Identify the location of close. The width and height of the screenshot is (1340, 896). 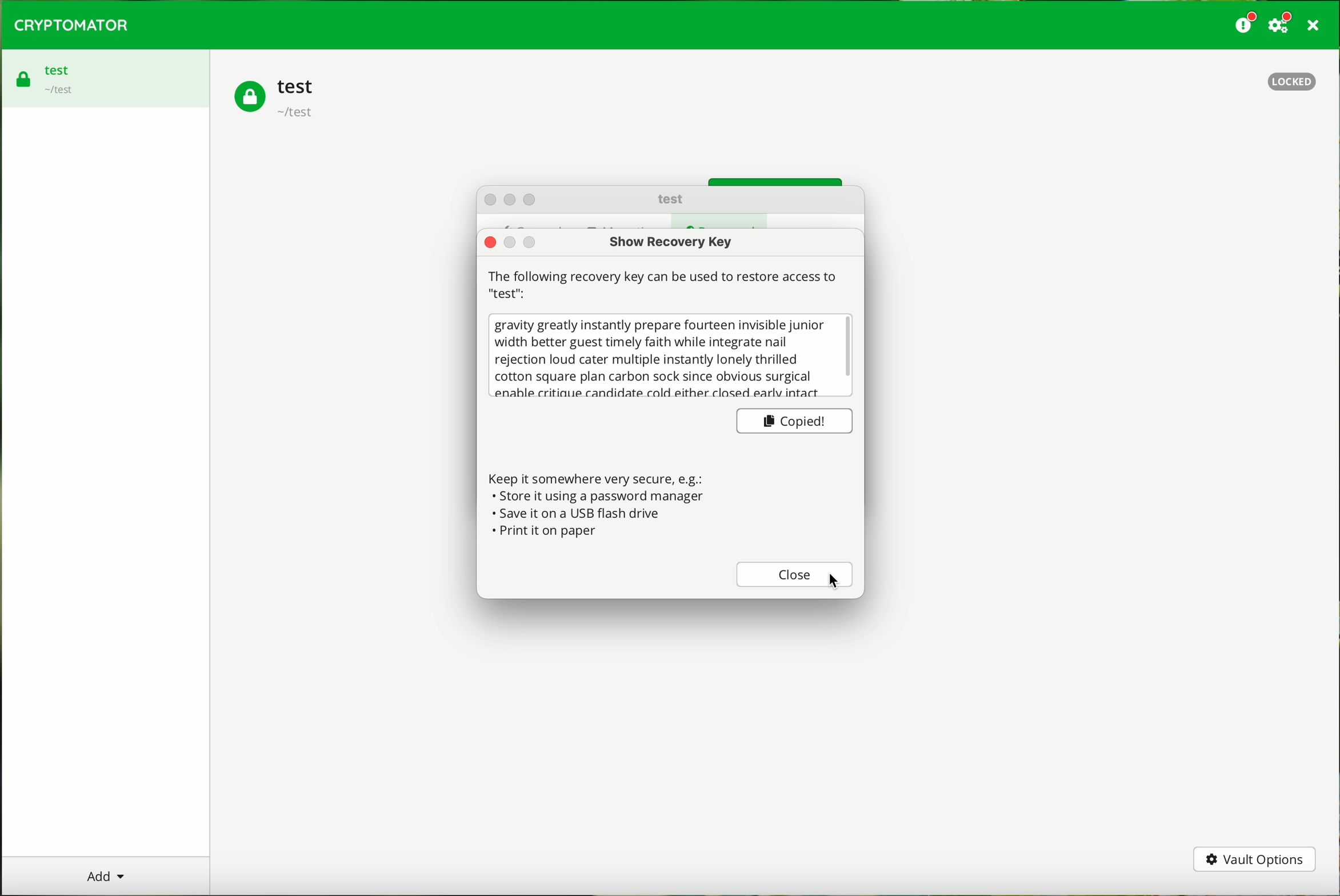
(794, 574).